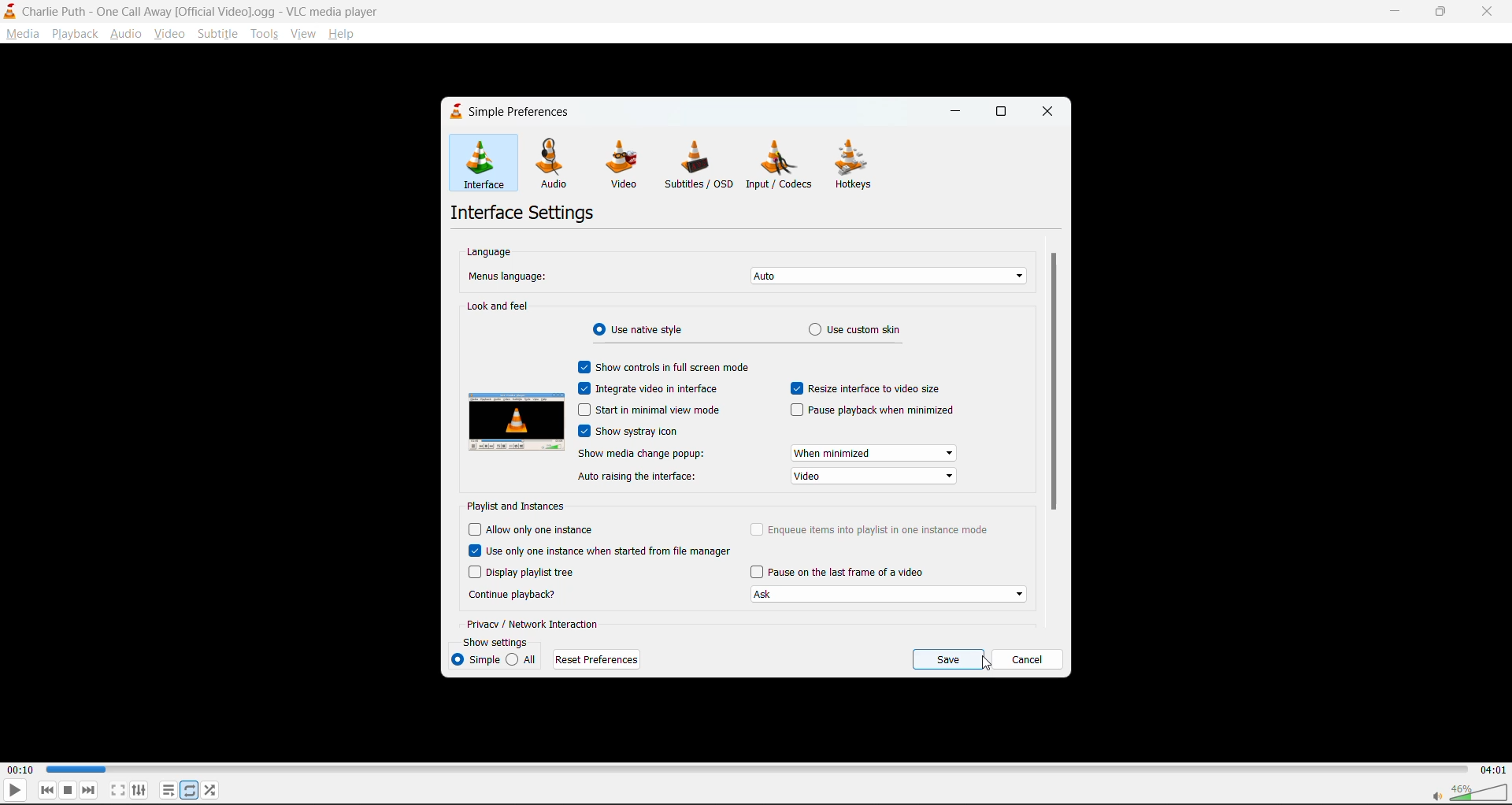 The height and width of the screenshot is (805, 1512). What do you see at coordinates (680, 369) in the screenshot?
I see `show controls in full screen mode` at bounding box center [680, 369].